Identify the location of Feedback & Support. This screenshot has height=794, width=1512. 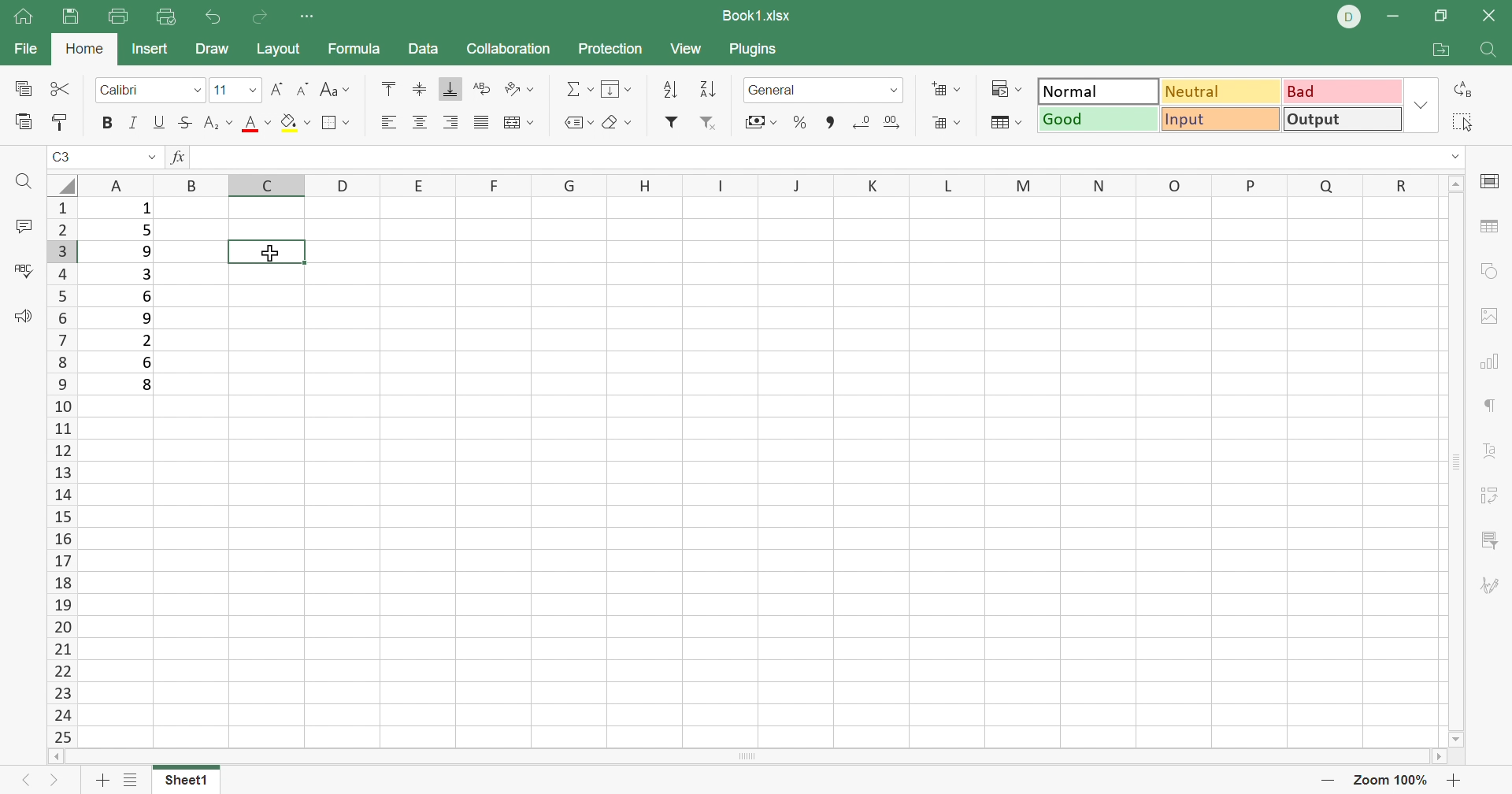
(24, 316).